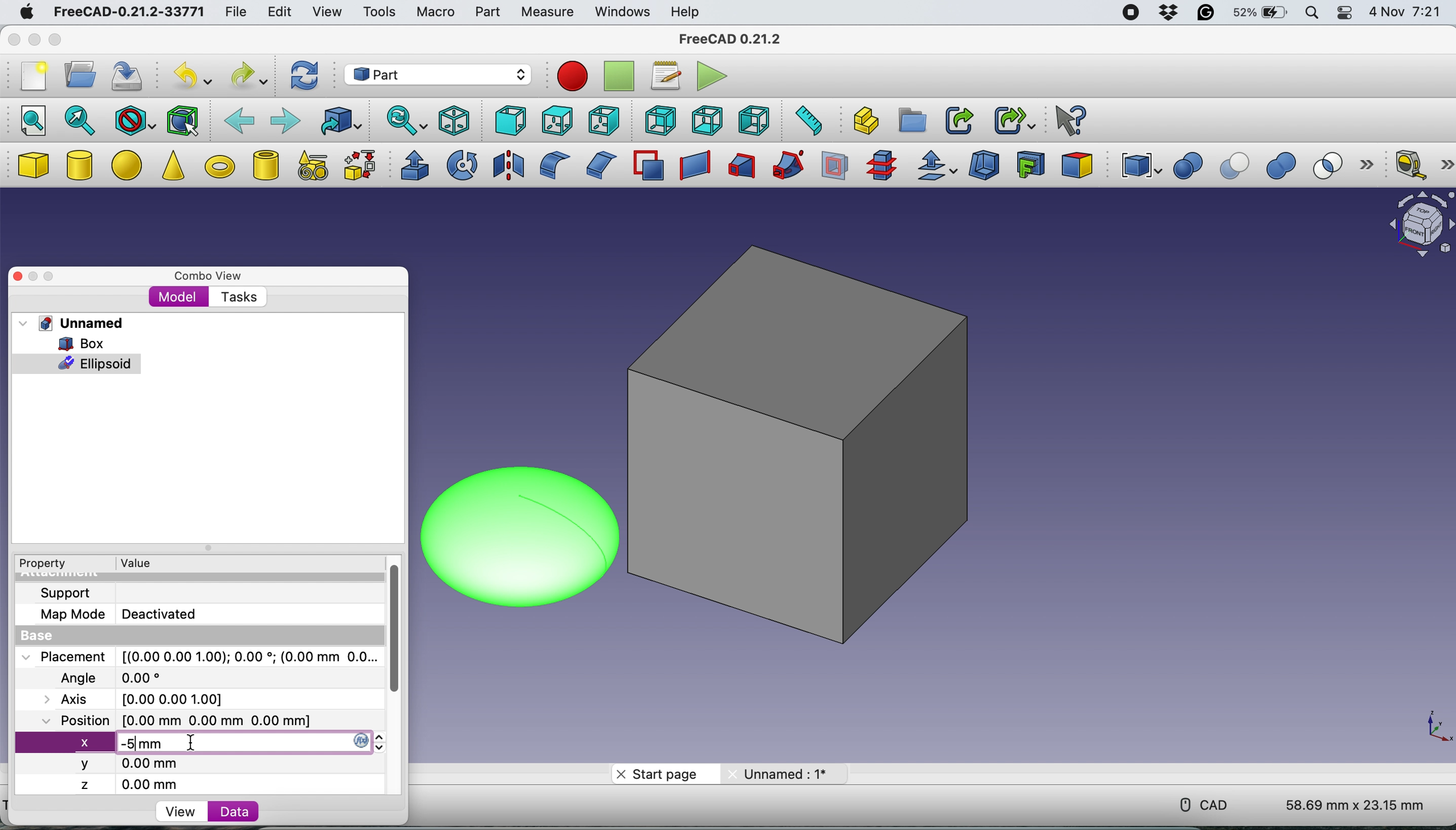 Image resolution: width=1456 pixels, height=830 pixels. Describe the element at coordinates (435, 13) in the screenshot. I see `macro` at that location.